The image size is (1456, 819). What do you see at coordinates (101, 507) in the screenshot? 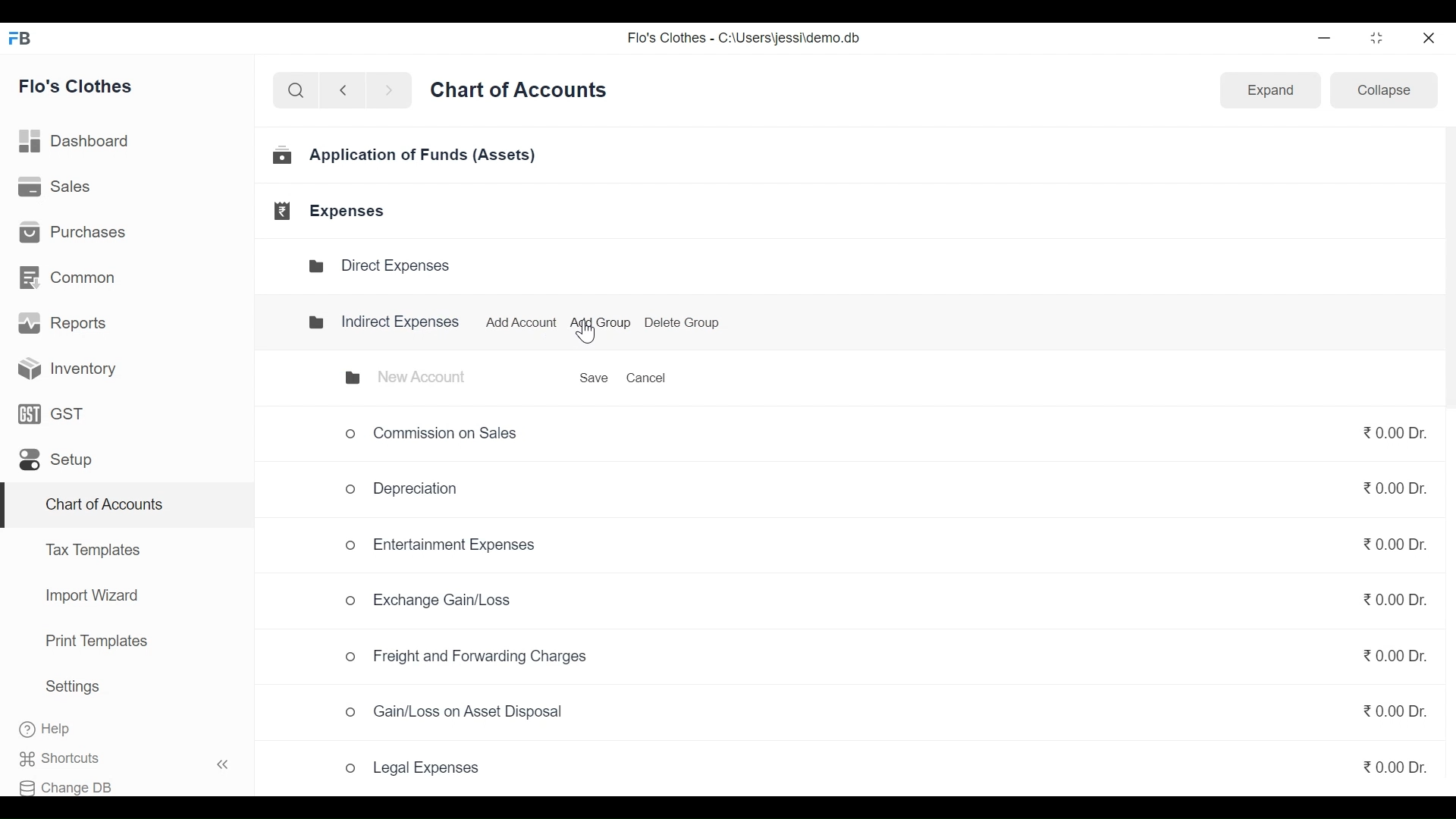
I see `Chart of Accounts` at bounding box center [101, 507].